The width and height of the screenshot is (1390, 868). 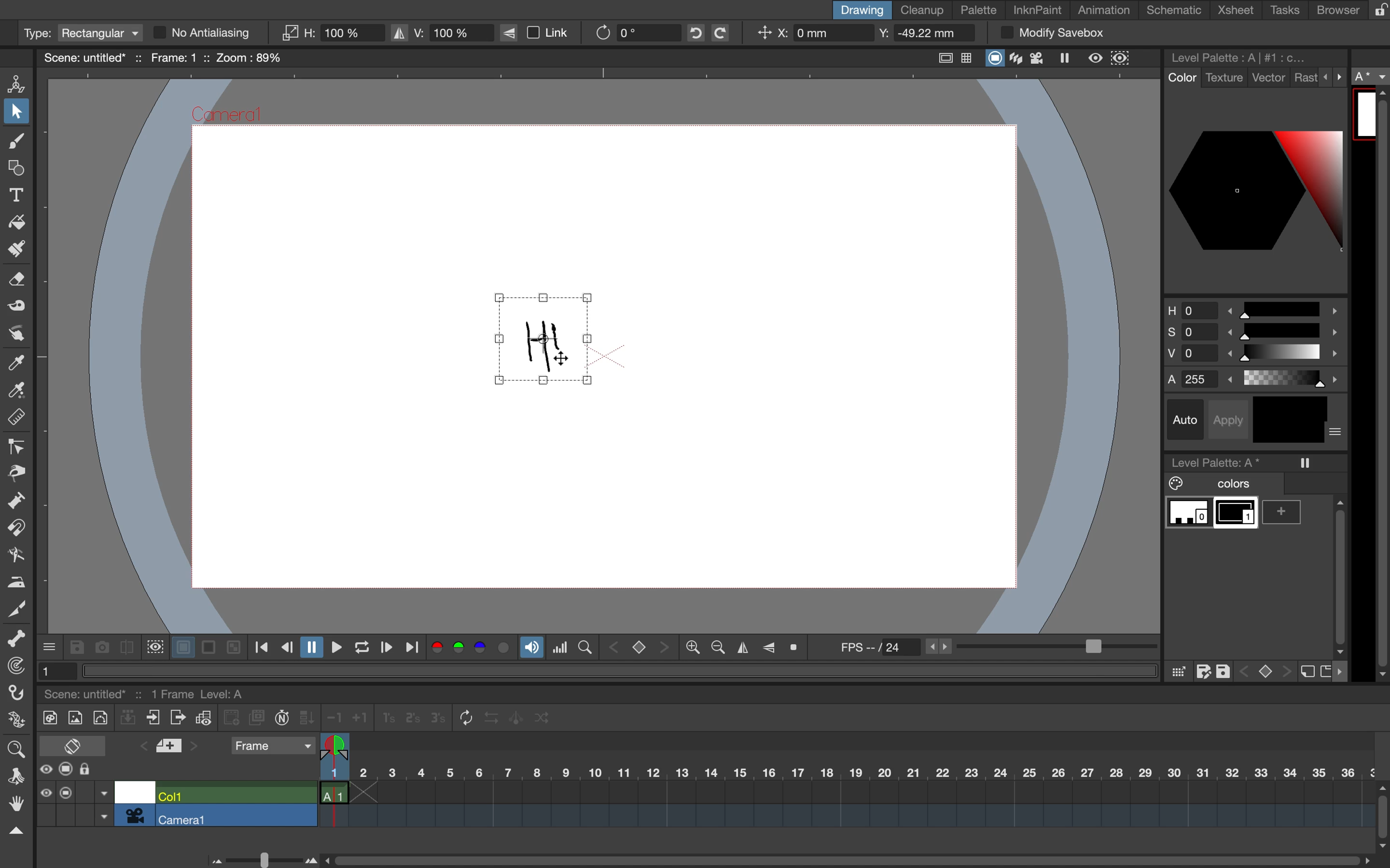 What do you see at coordinates (16, 169) in the screenshot?
I see `geometric tool` at bounding box center [16, 169].